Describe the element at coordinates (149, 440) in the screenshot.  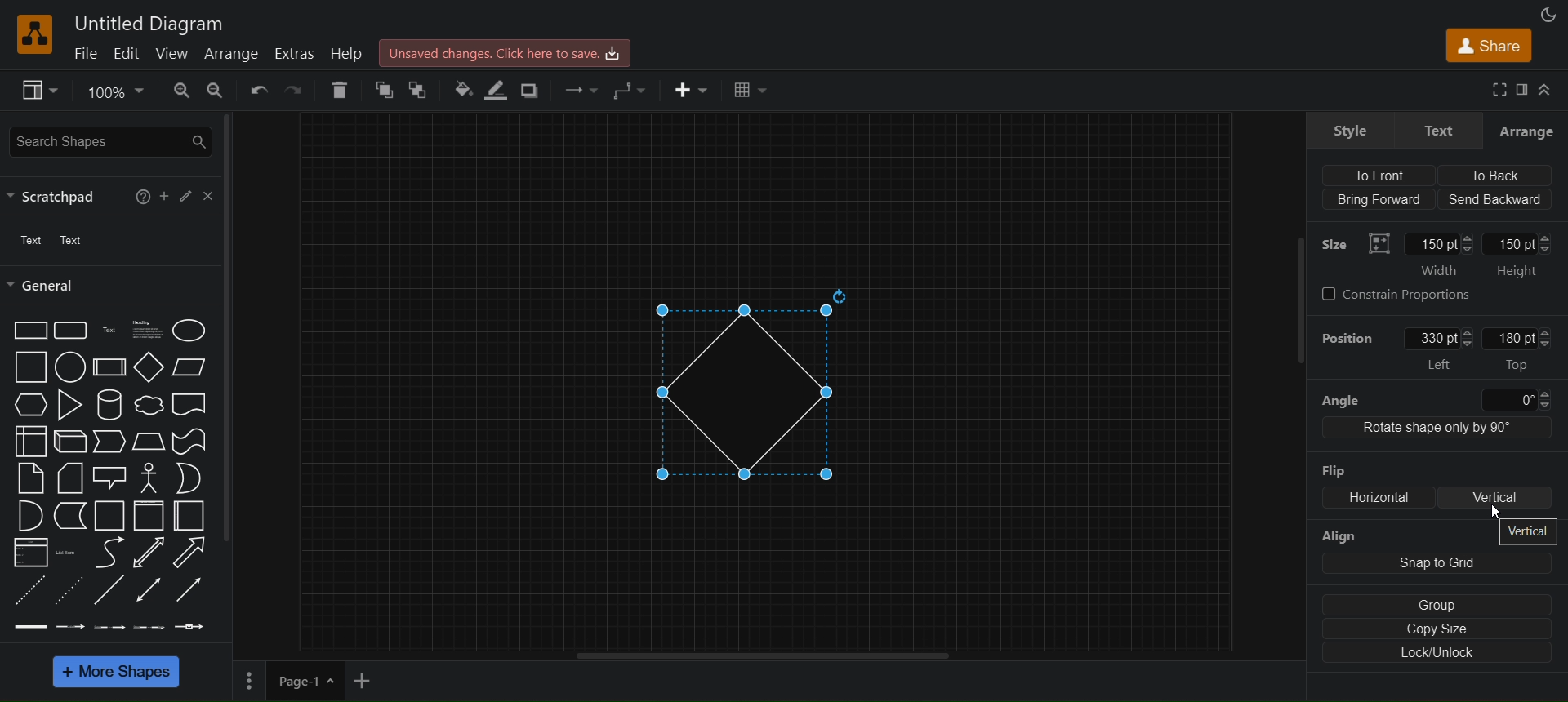
I see `trapezoid` at that location.